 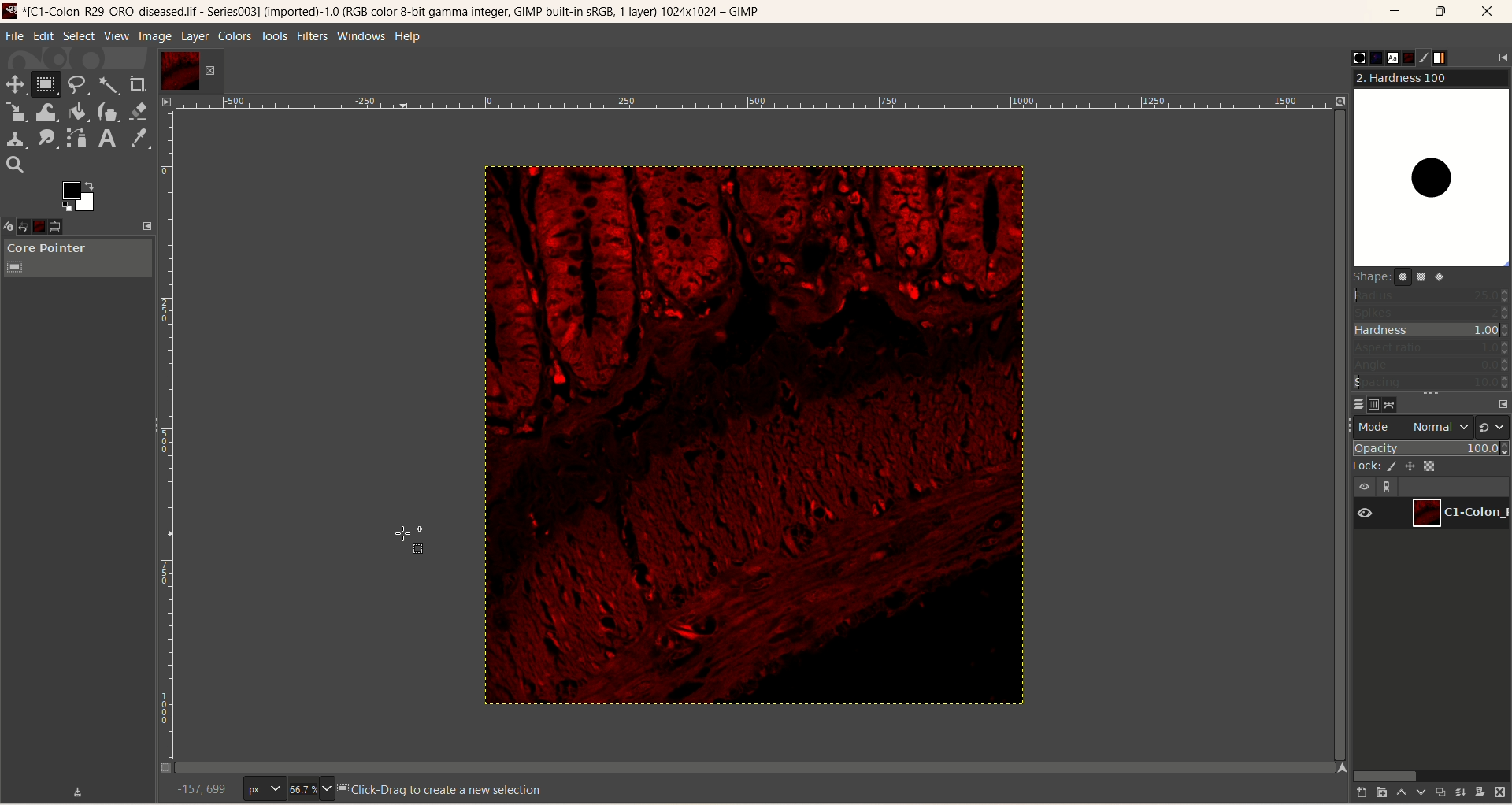 I want to click on layer, so click(x=194, y=36).